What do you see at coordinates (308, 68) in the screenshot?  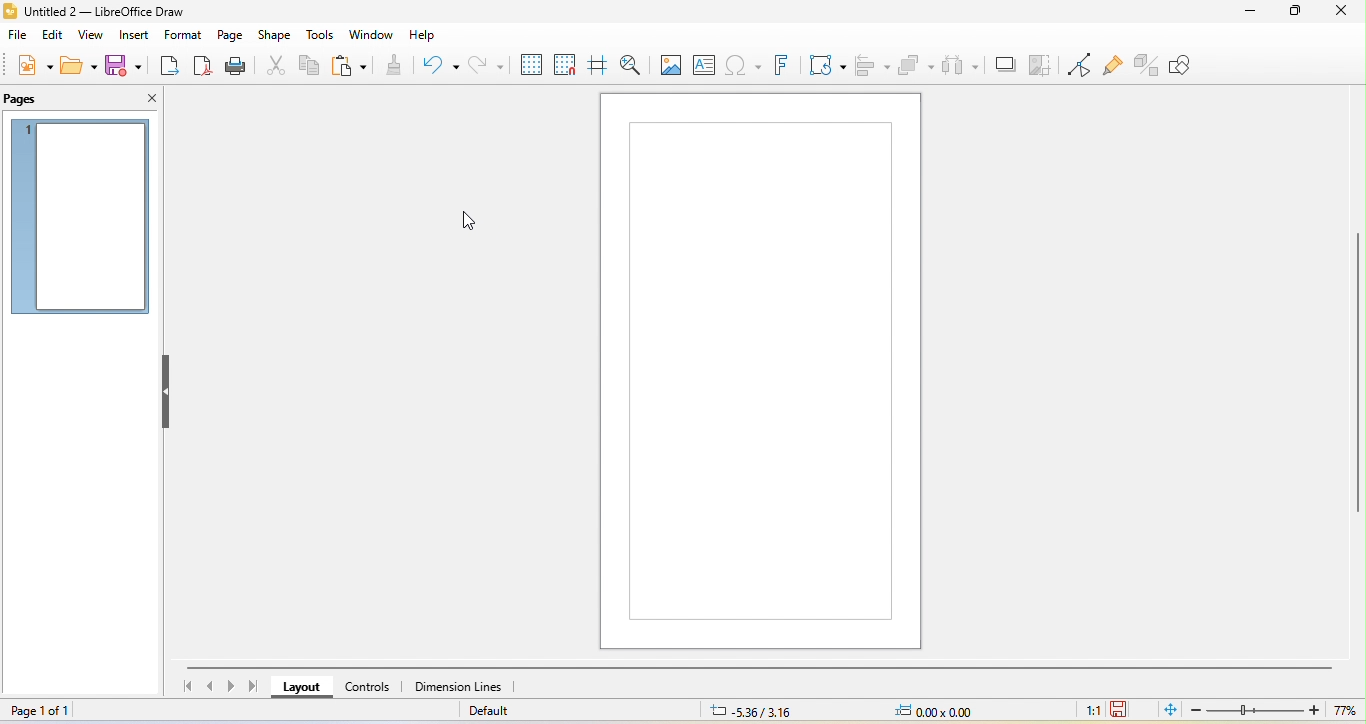 I see `copy` at bounding box center [308, 68].